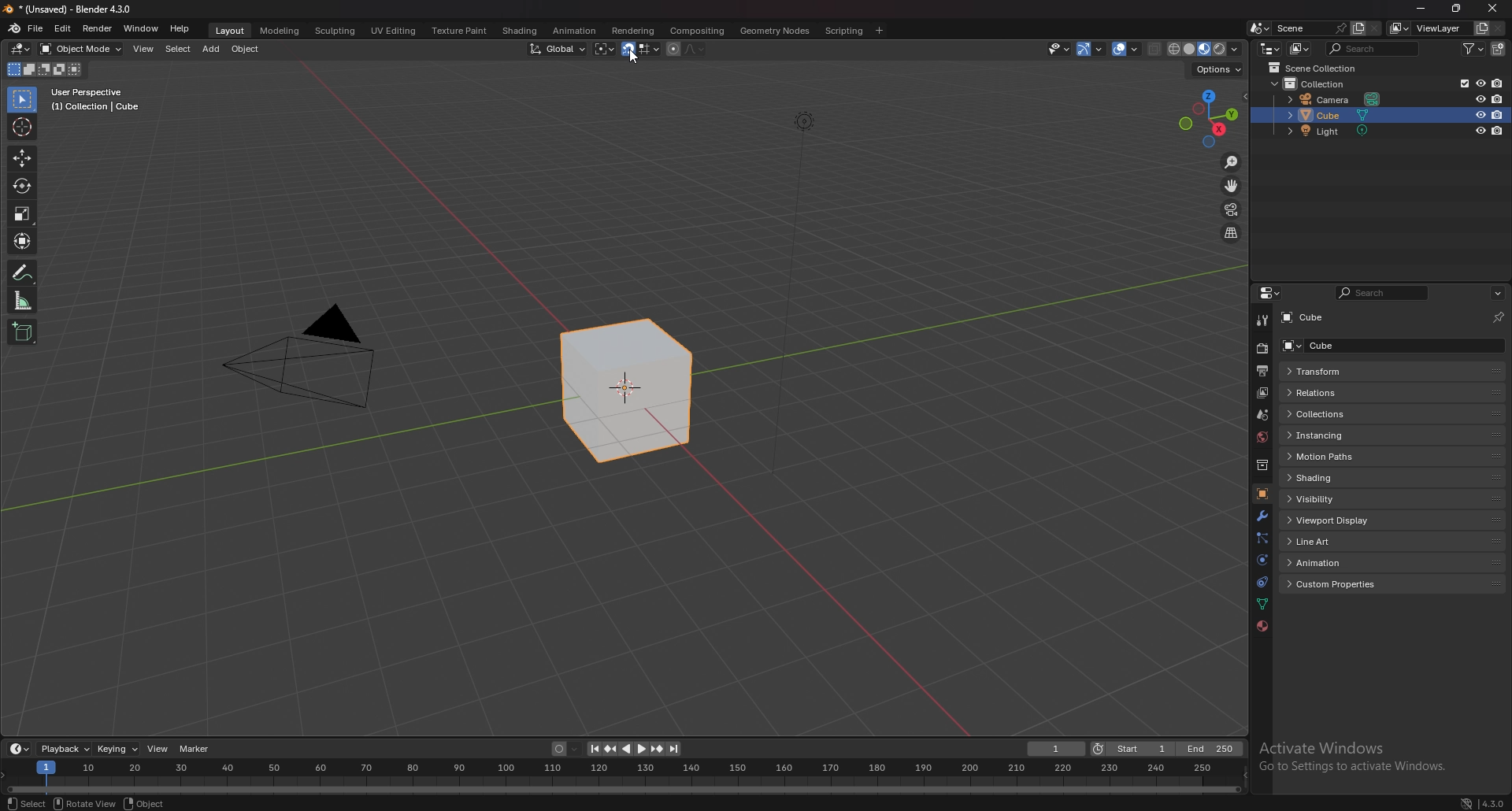  Describe the element at coordinates (1058, 749) in the screenshot. I see `current frame` at that location.